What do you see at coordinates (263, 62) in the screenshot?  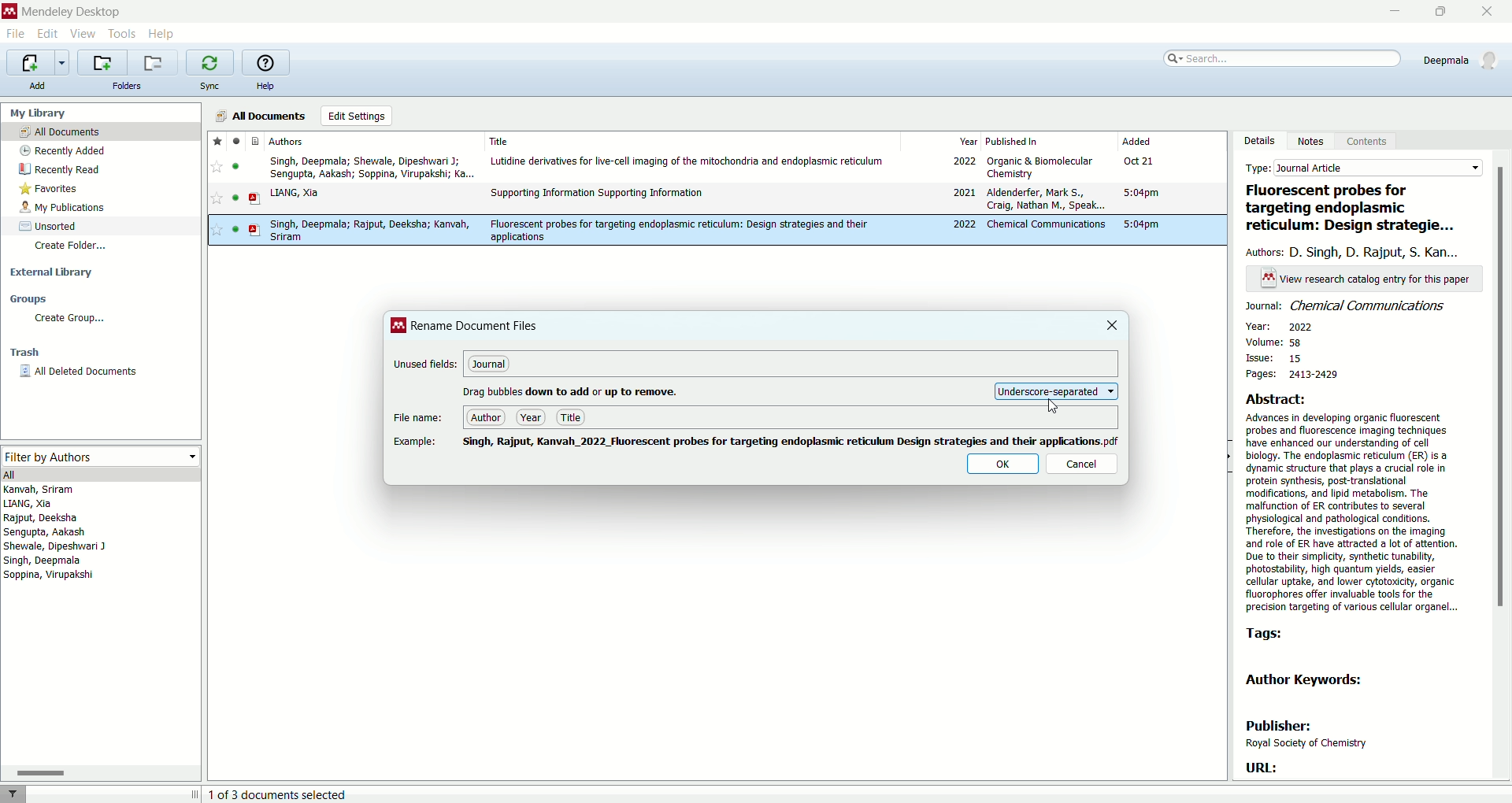 I see `online help guide for mendeley` at bounding box center [263, 62].